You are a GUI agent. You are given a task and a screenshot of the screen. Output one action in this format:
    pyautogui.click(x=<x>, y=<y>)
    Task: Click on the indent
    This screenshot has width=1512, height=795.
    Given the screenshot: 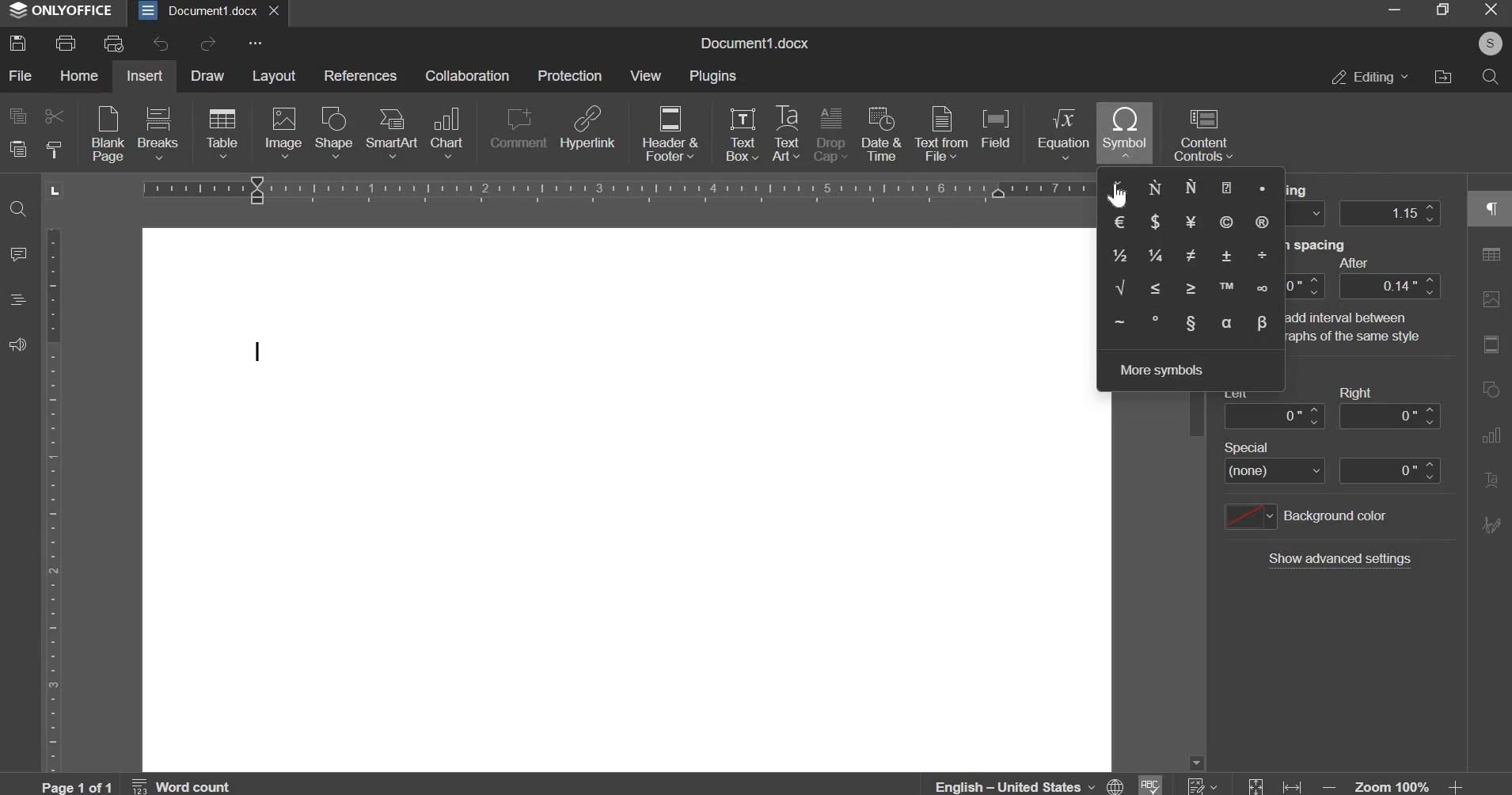 What is the action you would take?
    pyautogui.click(x=1331, y=415)
    